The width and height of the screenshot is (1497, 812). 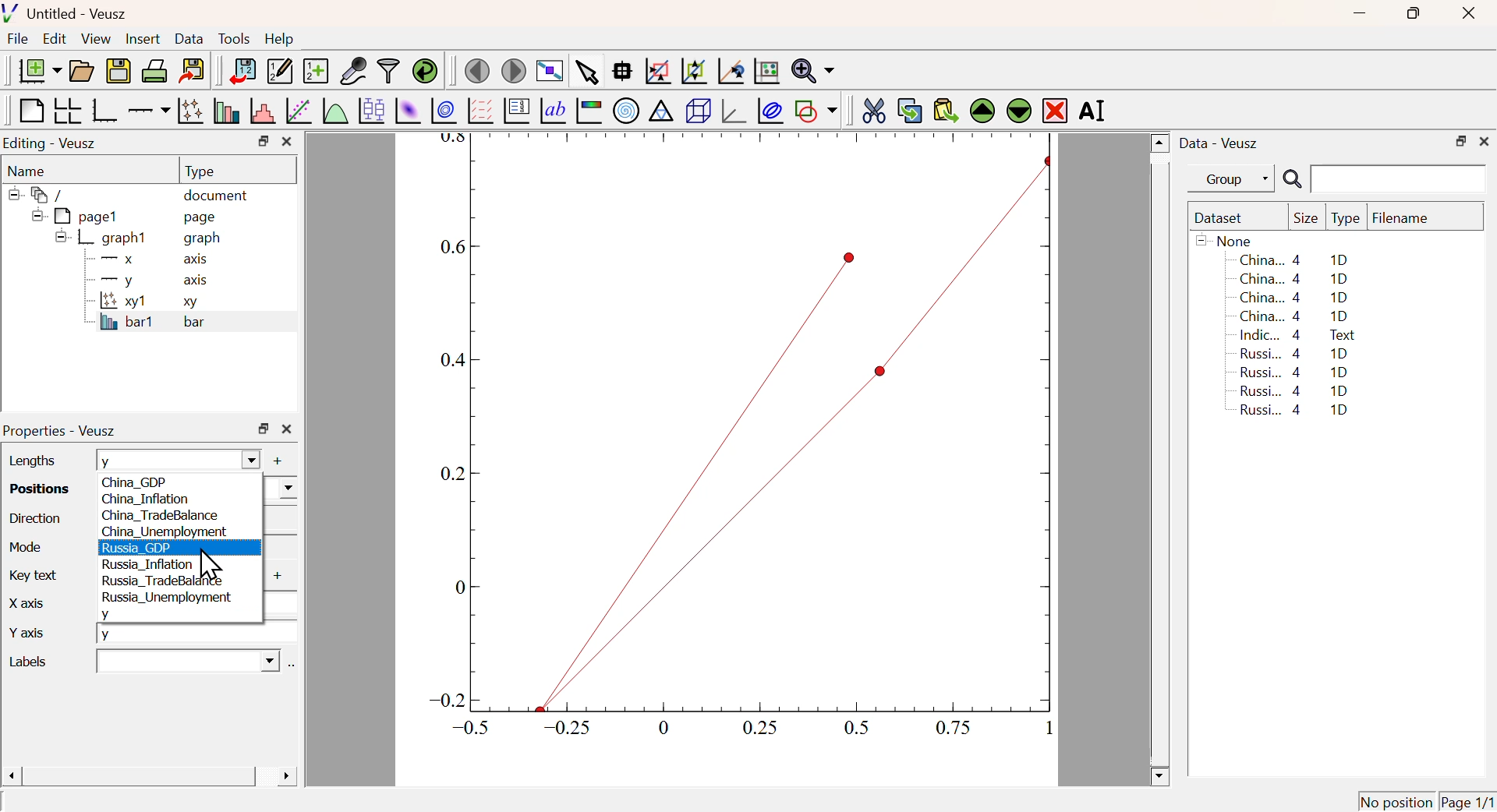 What do you see at coordinates (1297, 278) in the screenshot?
I see `China... 4 1D` at bounding box center [1297, 278].